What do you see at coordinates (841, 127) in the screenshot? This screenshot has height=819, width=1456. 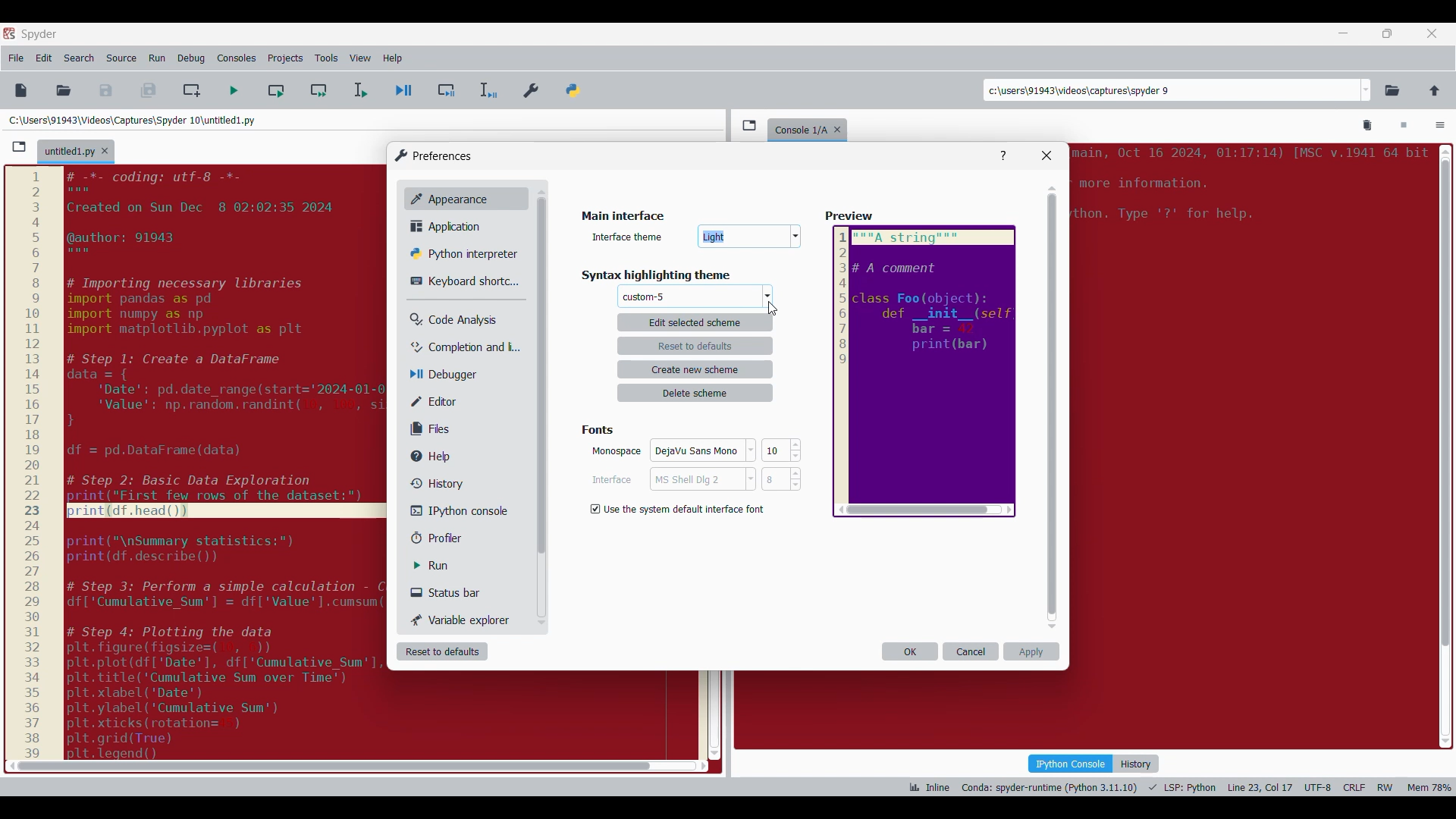 I see `Close tab` at bounding box center [841, 127].